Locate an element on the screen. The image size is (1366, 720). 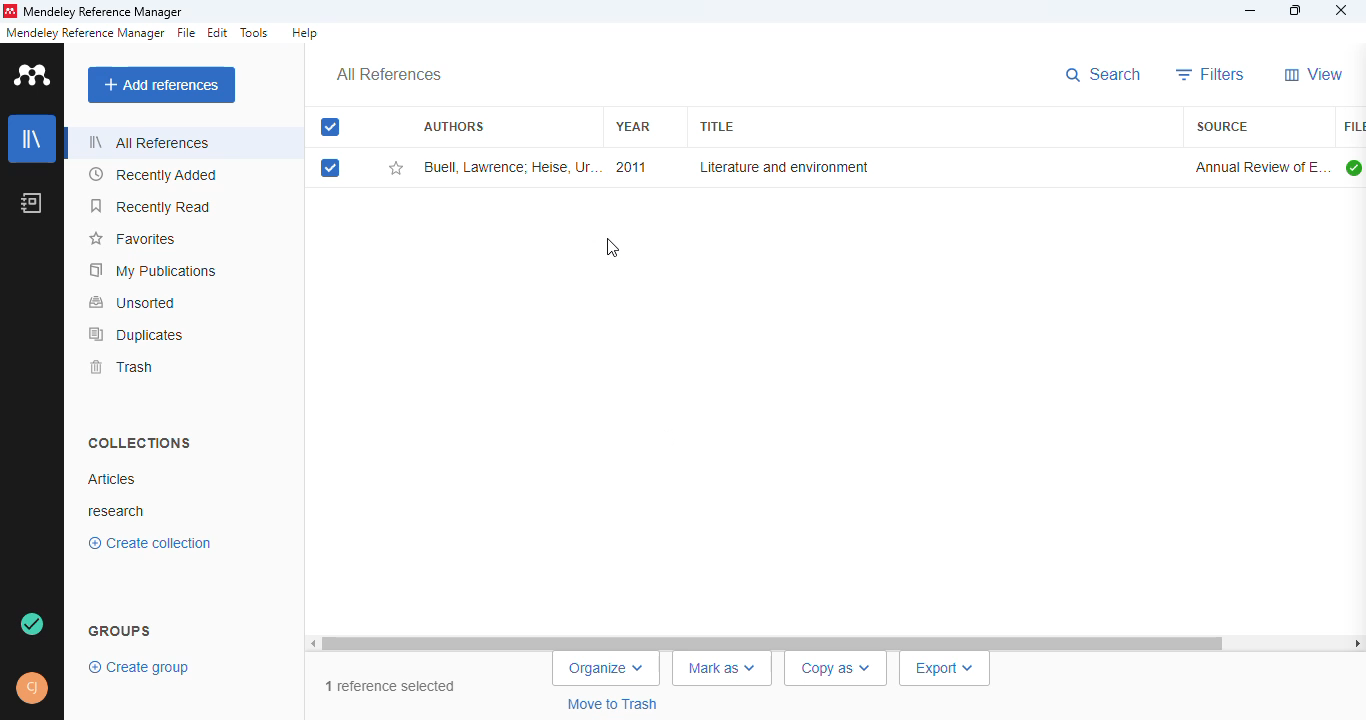
select is located at coordinates (332, 169).